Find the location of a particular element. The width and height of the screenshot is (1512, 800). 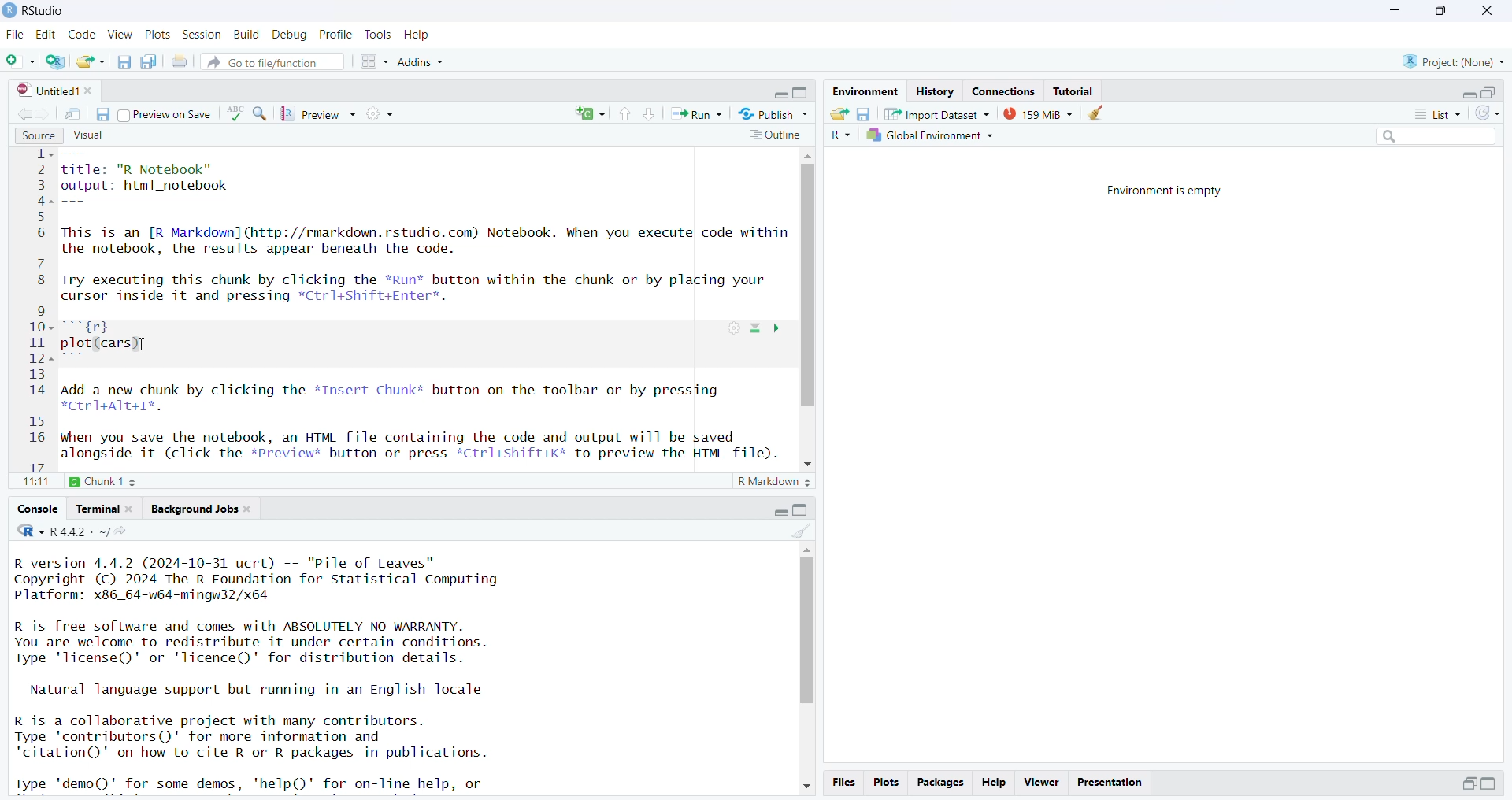

expand is located at coordinates (778, 95).